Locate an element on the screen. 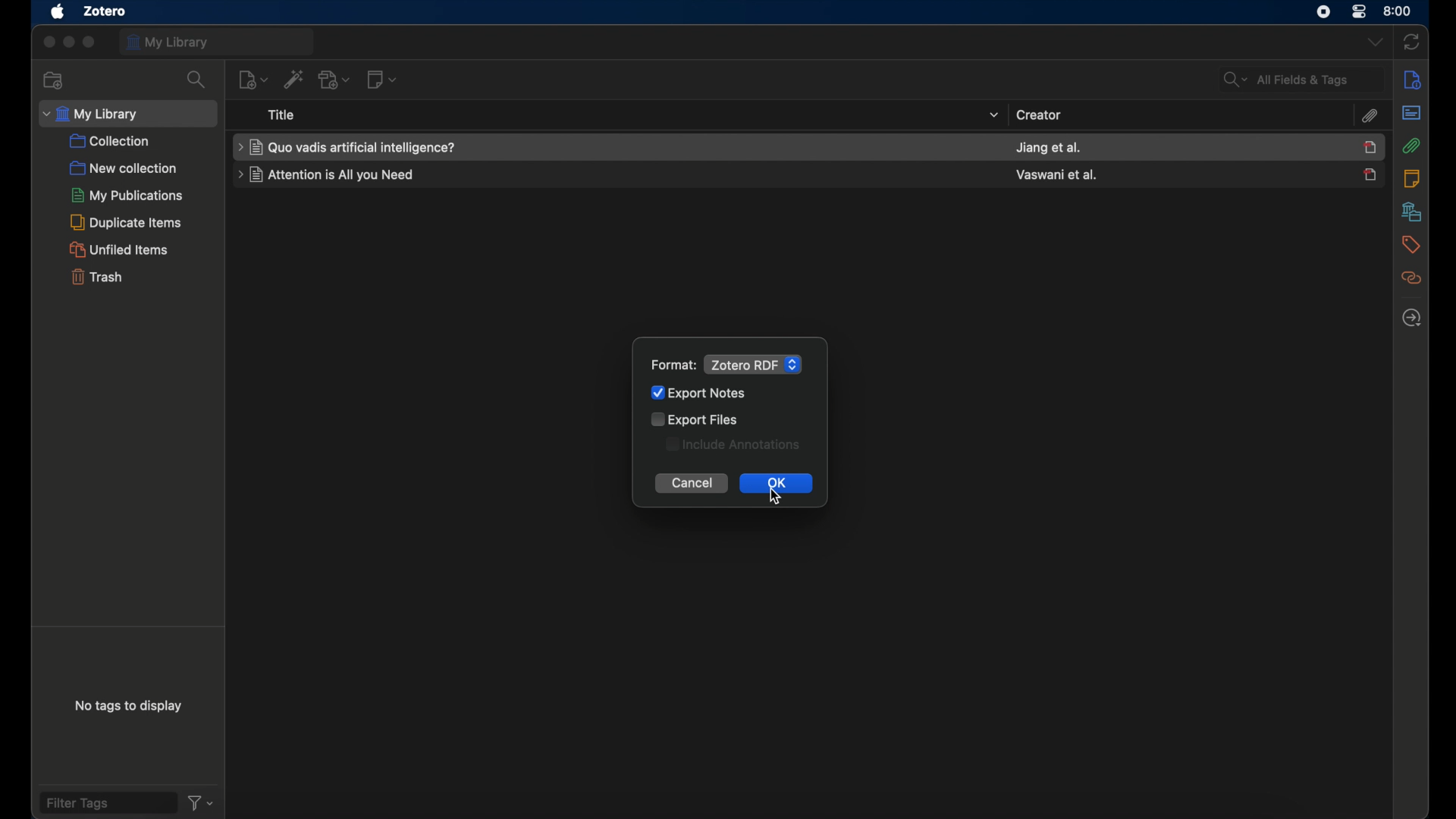 The width and height of the screenshot is (1456, 819). title dropdown menu is located at coordinates (992, 115).